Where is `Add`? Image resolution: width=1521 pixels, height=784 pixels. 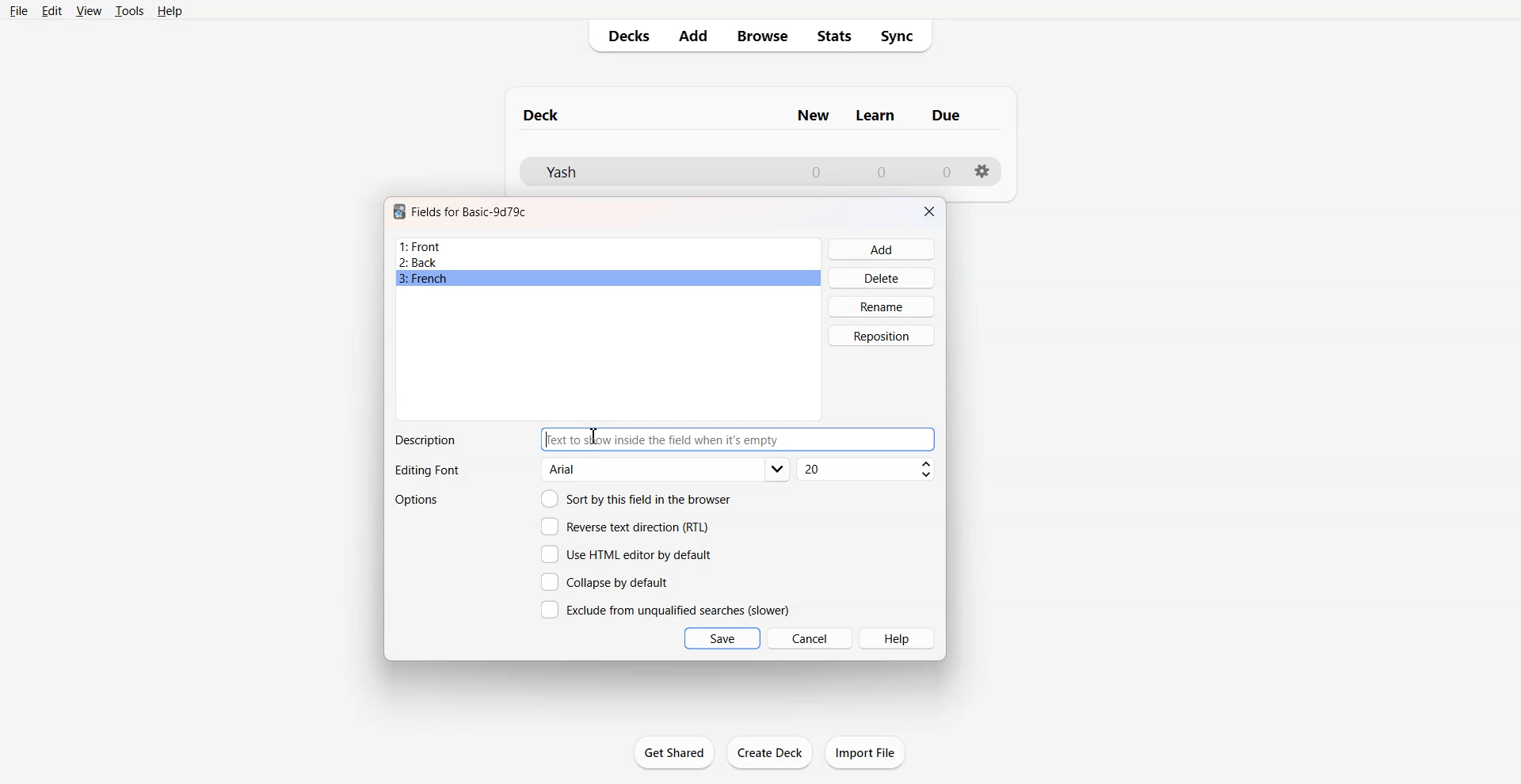 Add is located at coordinates (692, 36).